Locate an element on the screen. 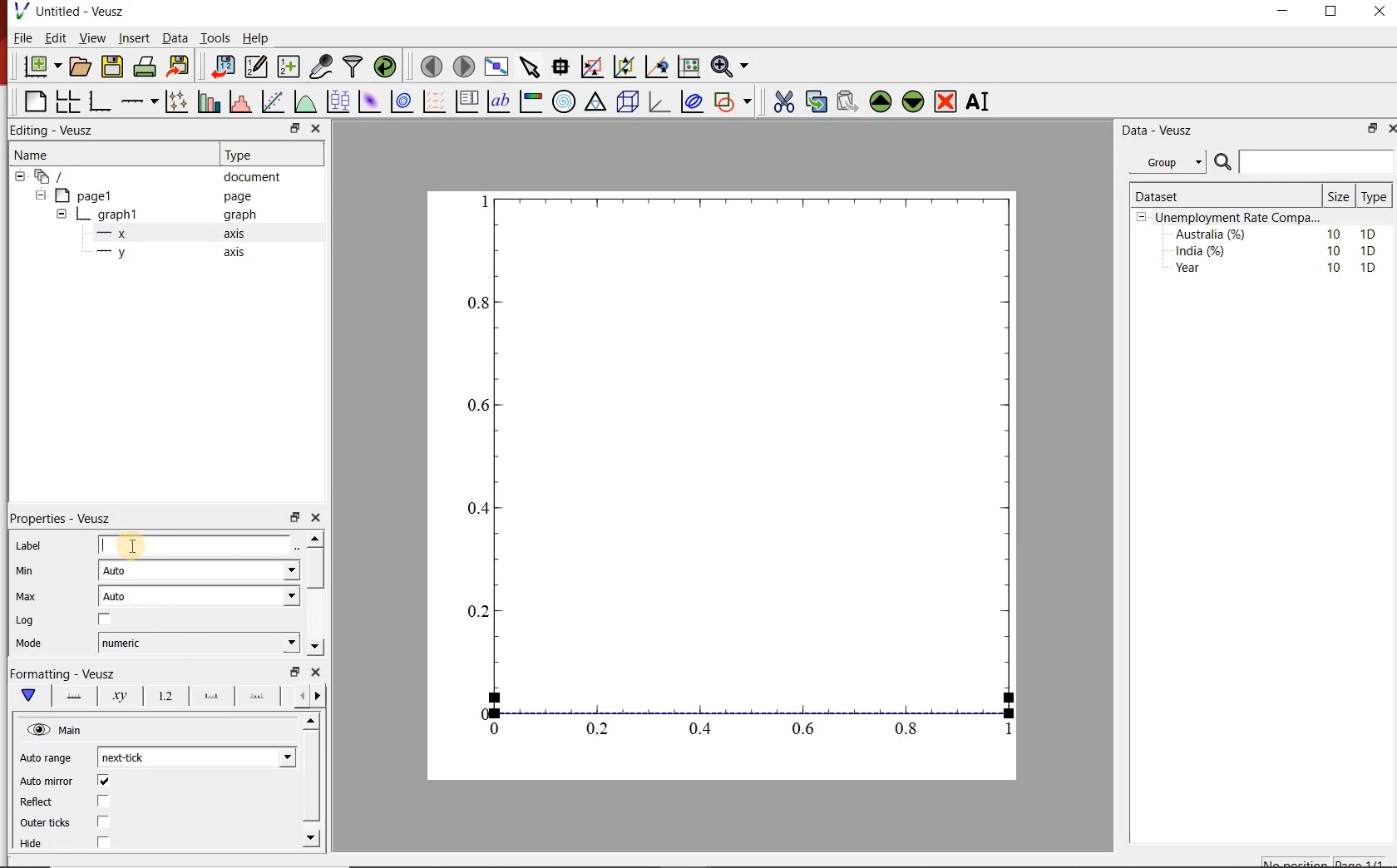 The width and height of the screenshot is (1397, 868). Australia (%) 10 1D is located at coordinates (1277, 234).